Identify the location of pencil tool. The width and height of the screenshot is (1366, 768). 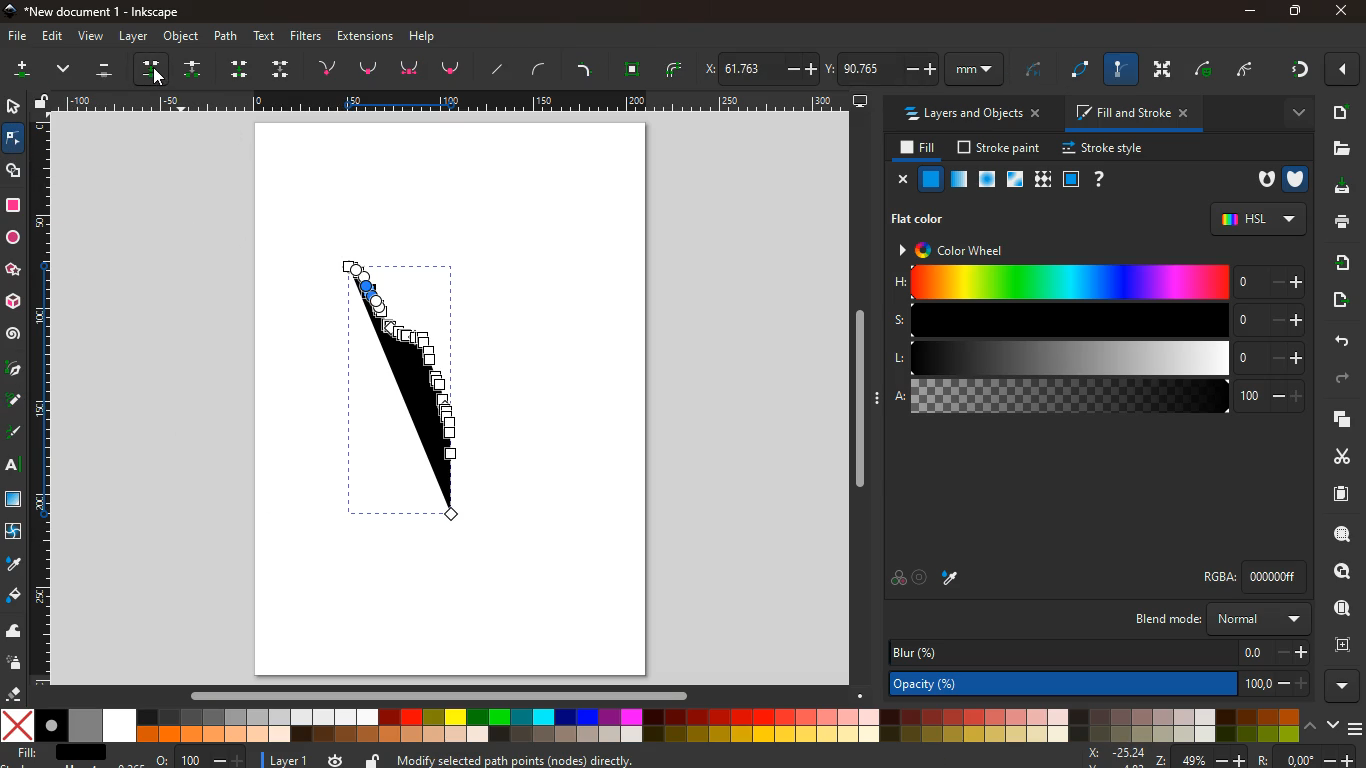
(16, 434).